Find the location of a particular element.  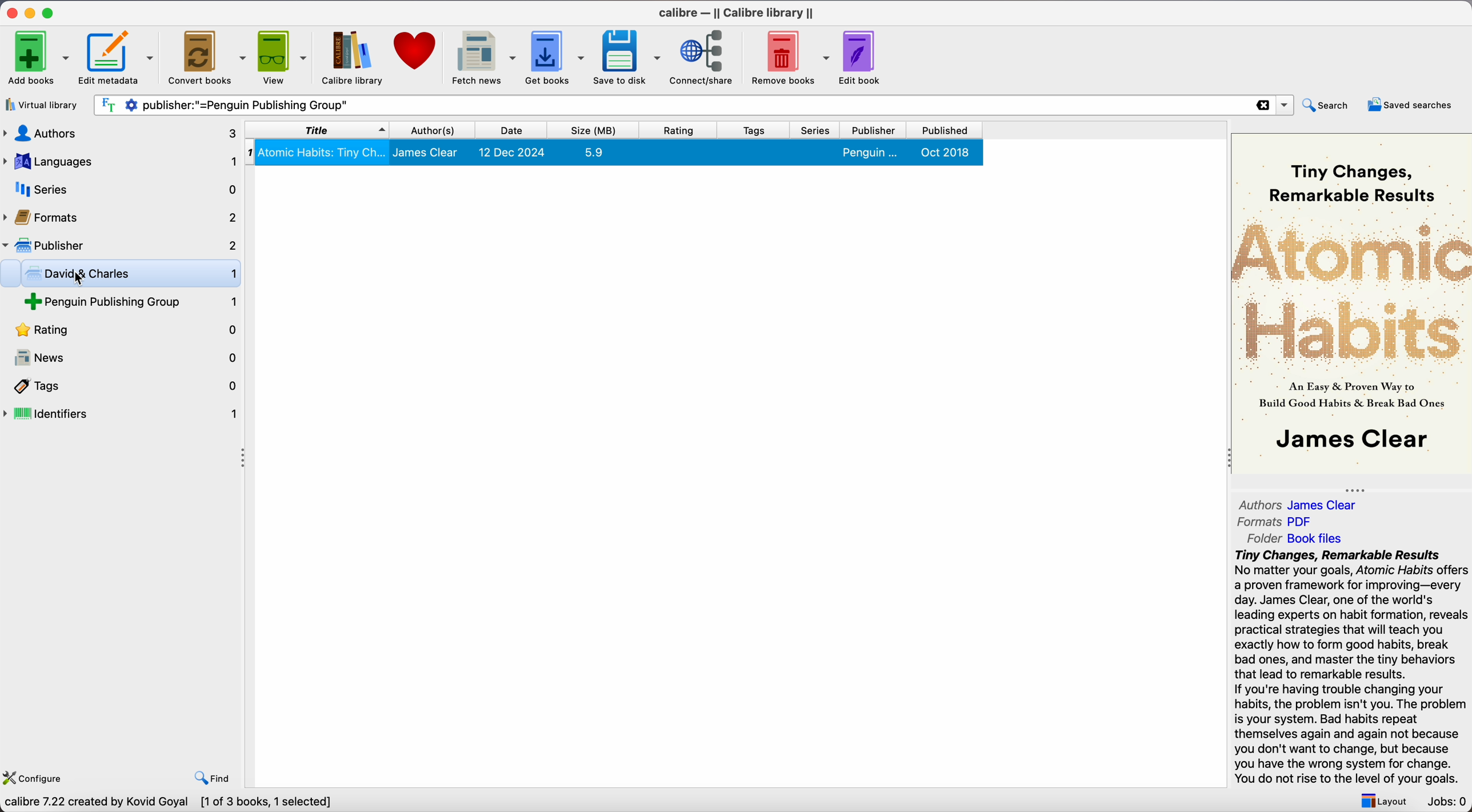

find is located at coordinates (214, 777).